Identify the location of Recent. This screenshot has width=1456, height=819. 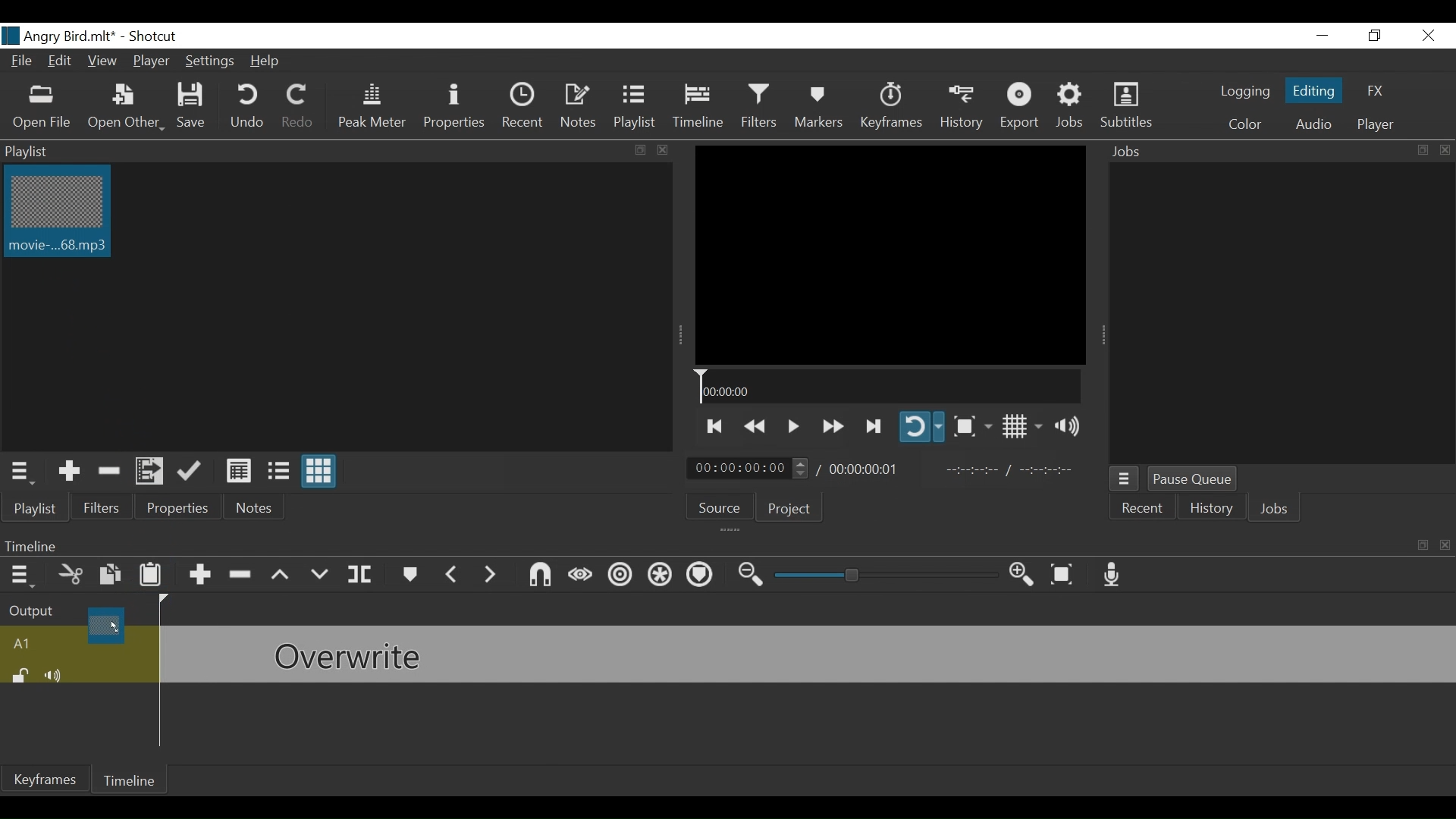
(525, 105).